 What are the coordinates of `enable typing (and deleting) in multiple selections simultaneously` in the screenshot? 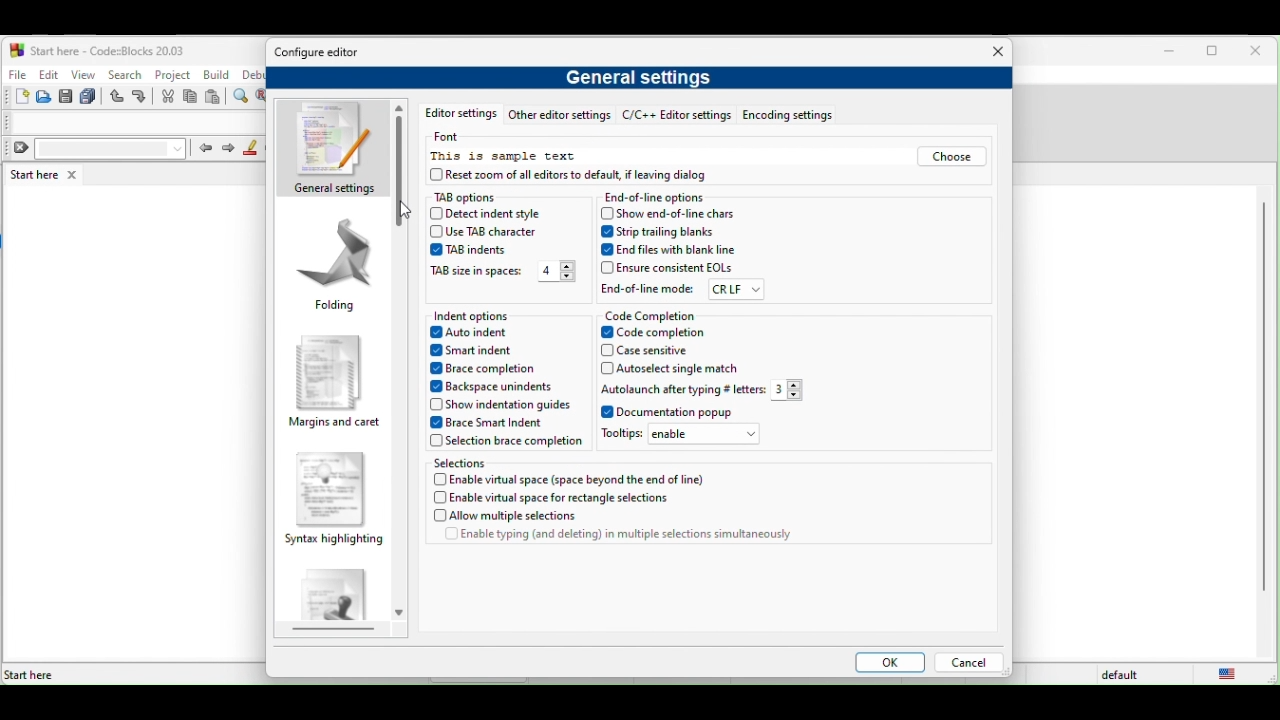 It's located at (618, 538).